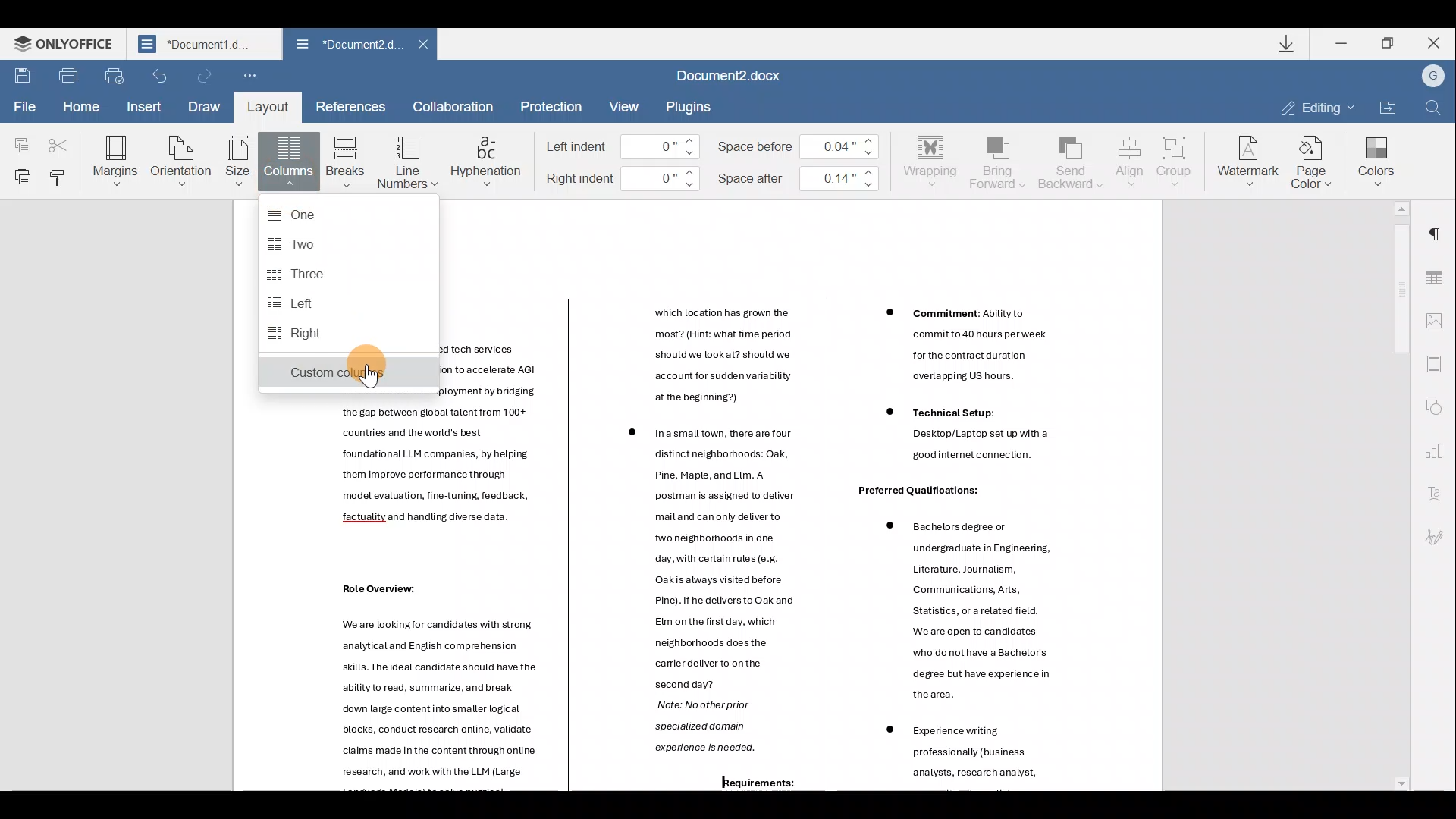 This screenshot has height=819, width=1456. What do you see at coordinates (1432, 77) in the screenshot?
I see `Account name` at bounding box center [1432, 77].